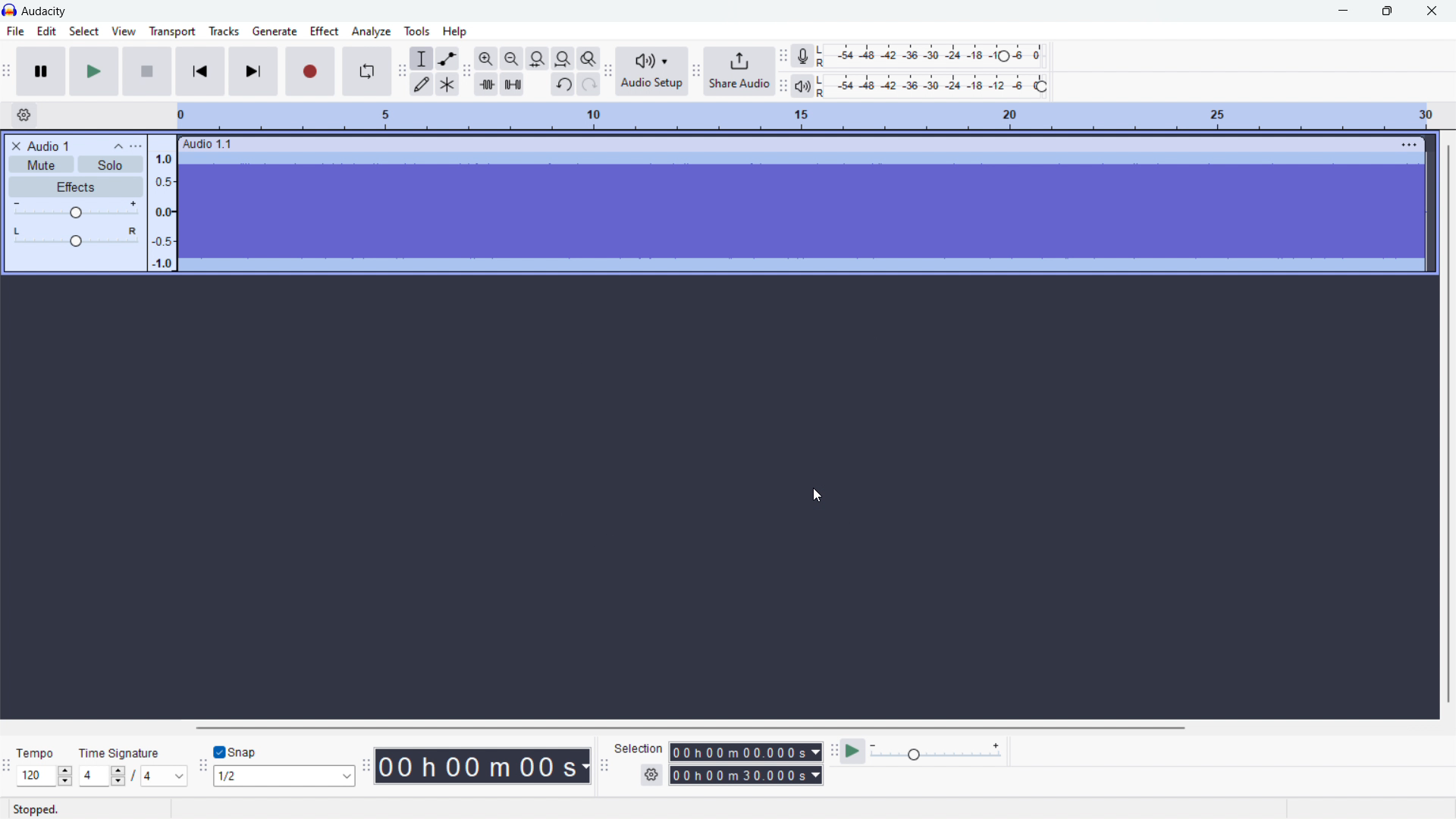 Image resolution: width=1456 pixels, height=819 pixels. Describe the element at coordinates (802, 86) in the screenshot. I see `playback meter` at that location.